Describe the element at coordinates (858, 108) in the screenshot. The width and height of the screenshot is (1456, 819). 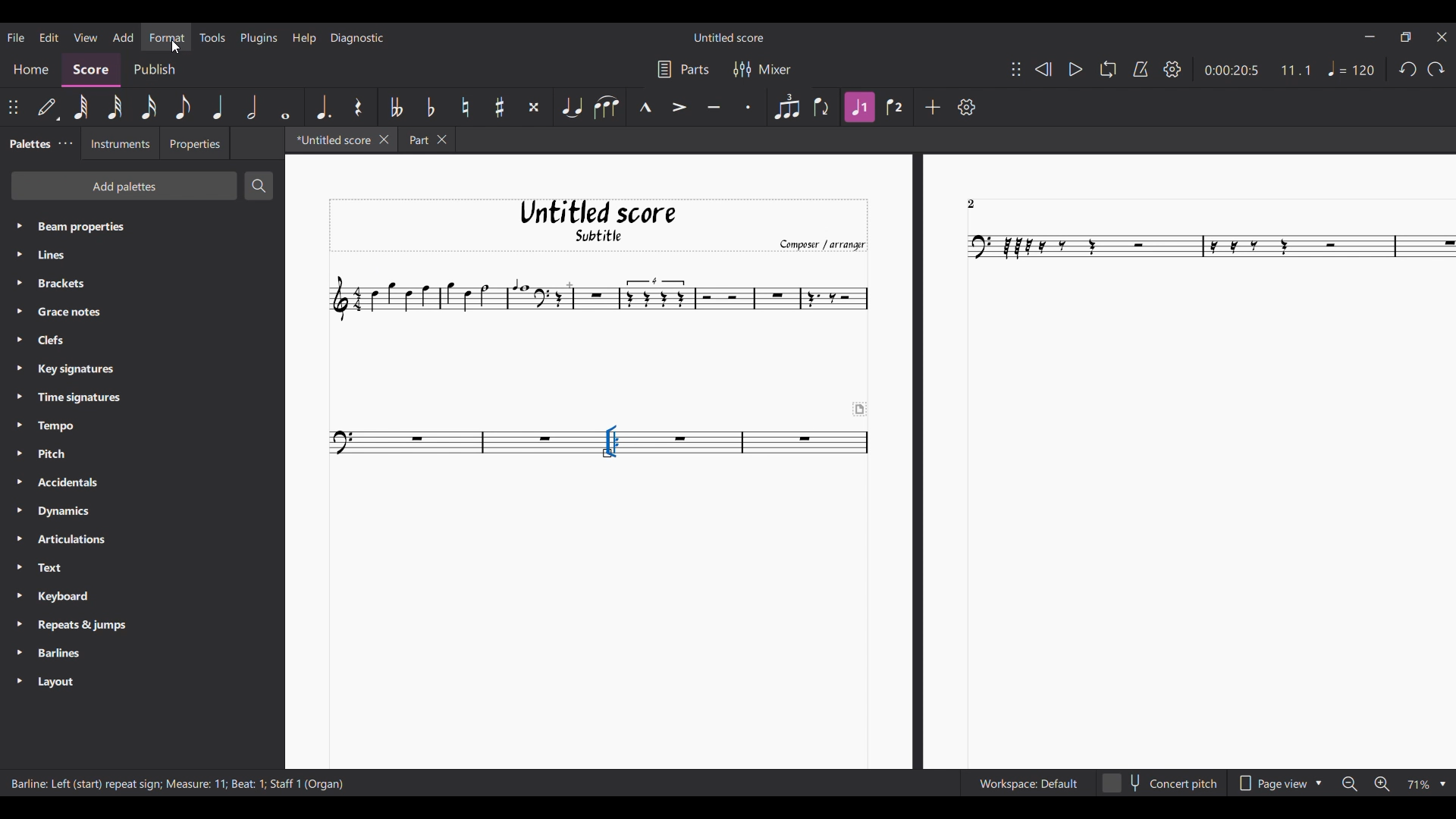
I see `Highlighted due to current selection` at that location.